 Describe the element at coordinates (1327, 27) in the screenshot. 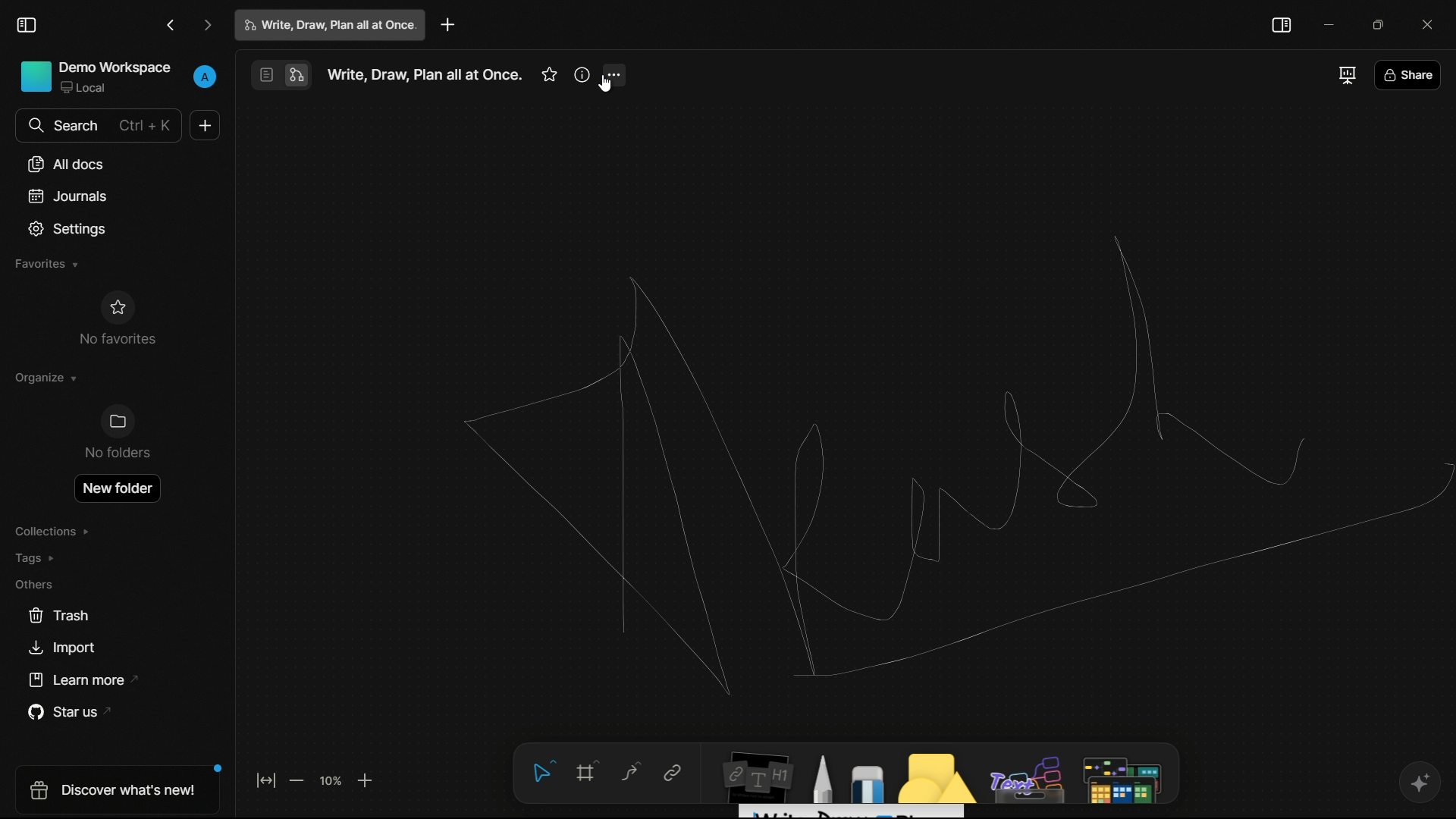

I see `minimize` at that location.